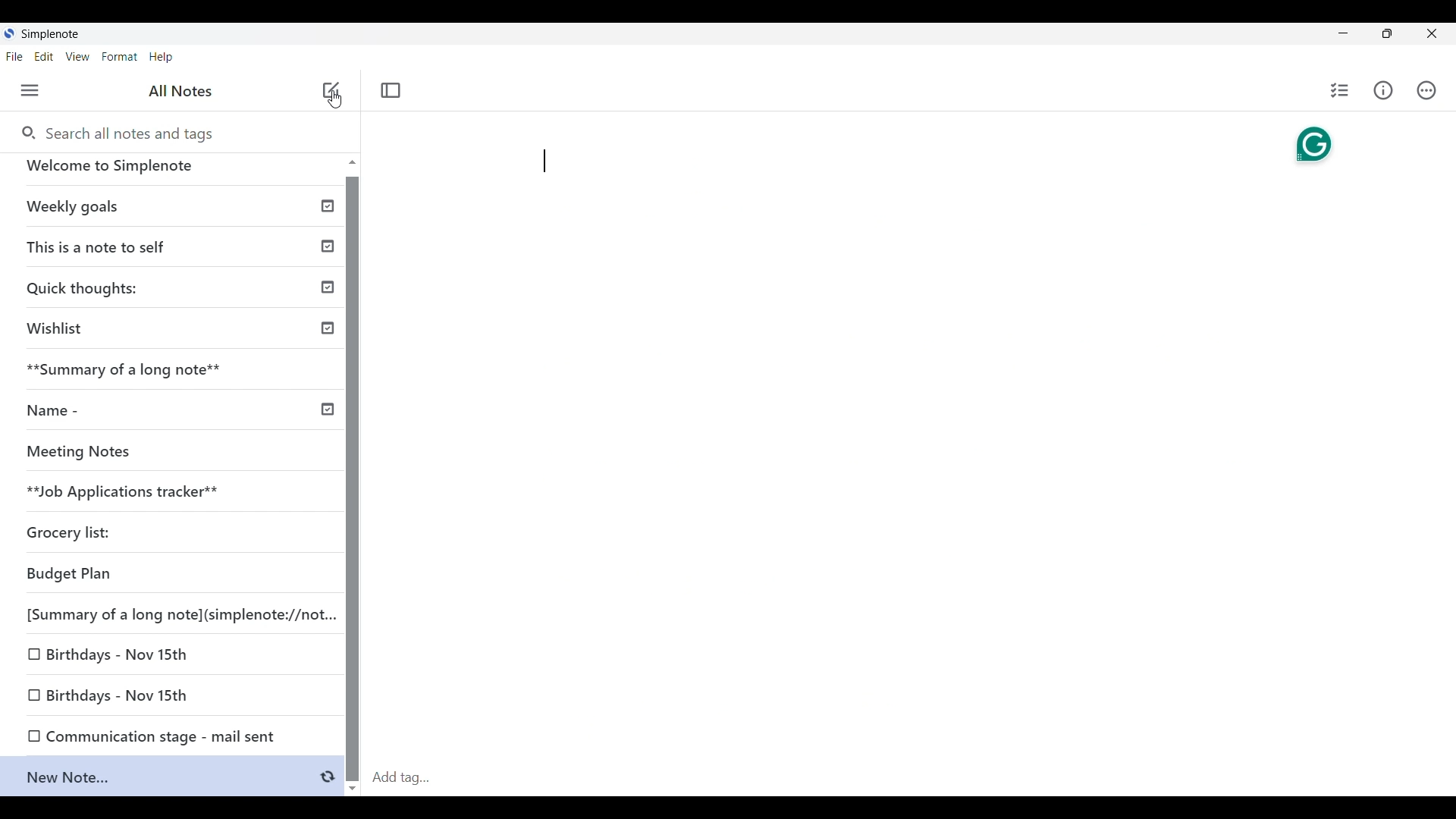 The width and height of the screenshot is (1456, 819). Describe the element at coordinates (1387, 33) in the screenshot. I see `Show interface in a smaller tab` at that location.